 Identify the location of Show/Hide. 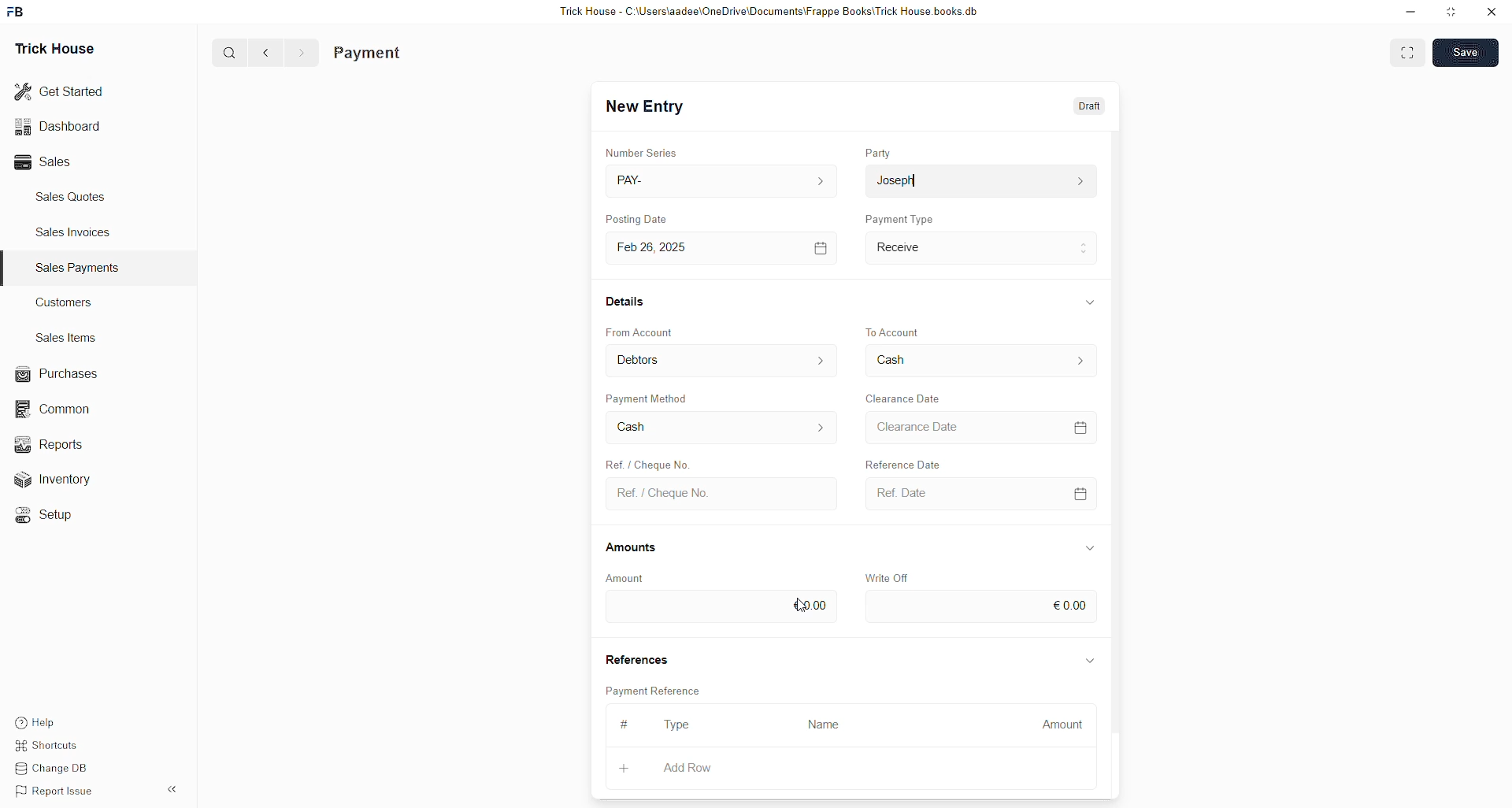
(1091, 662).